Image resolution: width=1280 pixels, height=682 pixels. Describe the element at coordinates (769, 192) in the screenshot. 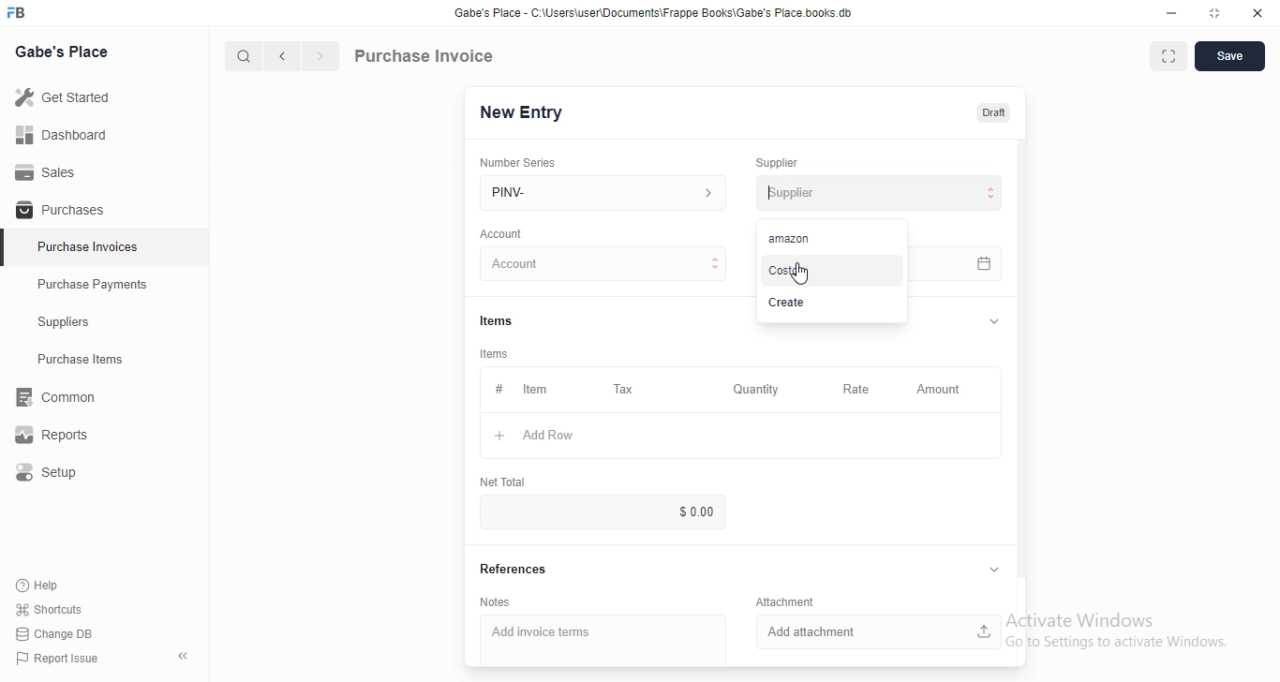

I see `Typing cursor` at that location.